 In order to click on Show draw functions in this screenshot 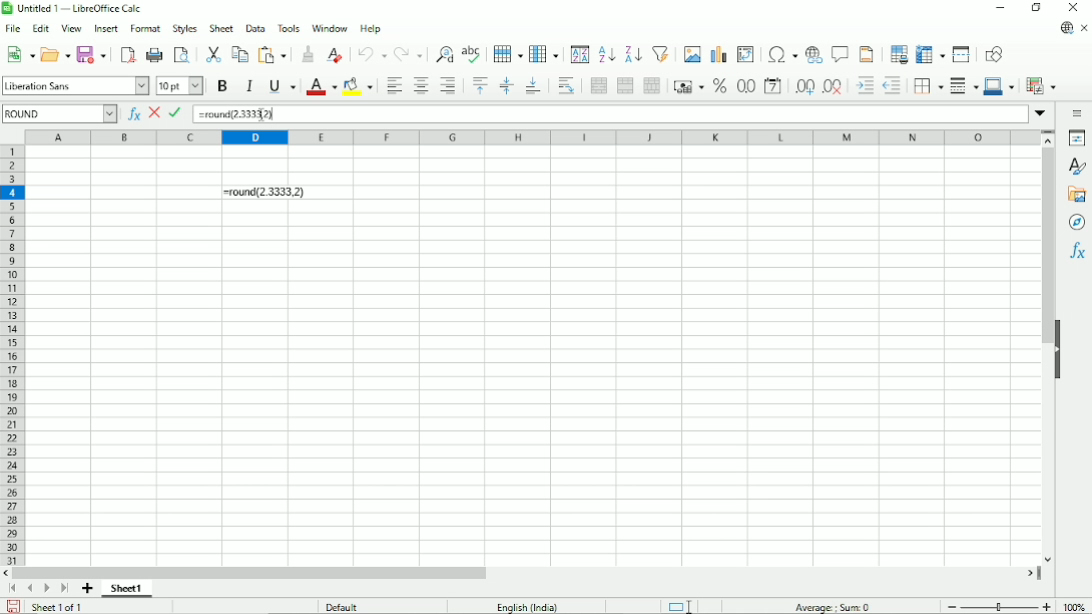, I will do `click(995, 53)`.